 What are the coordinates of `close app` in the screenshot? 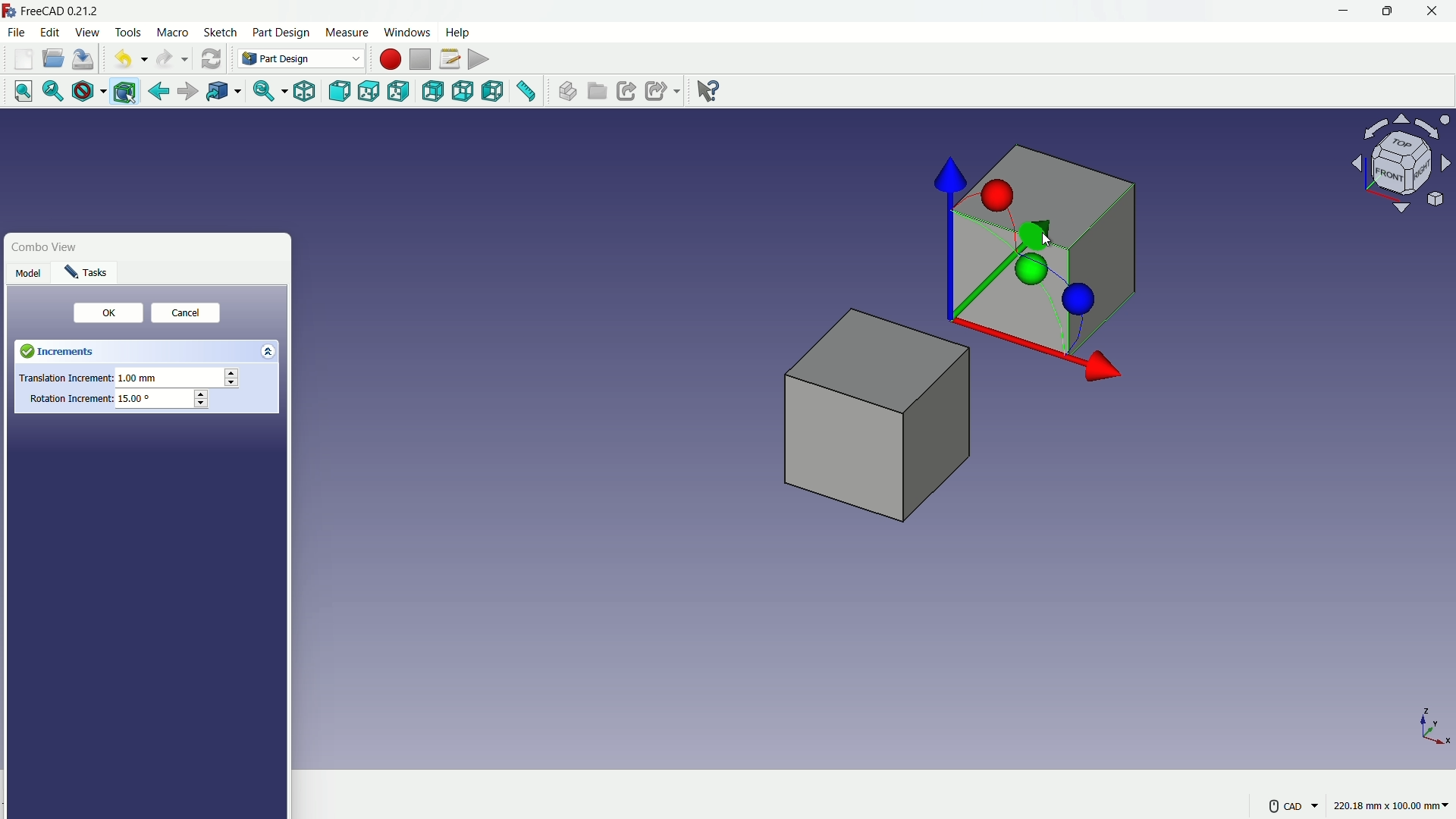 It's located at (1433, 11).